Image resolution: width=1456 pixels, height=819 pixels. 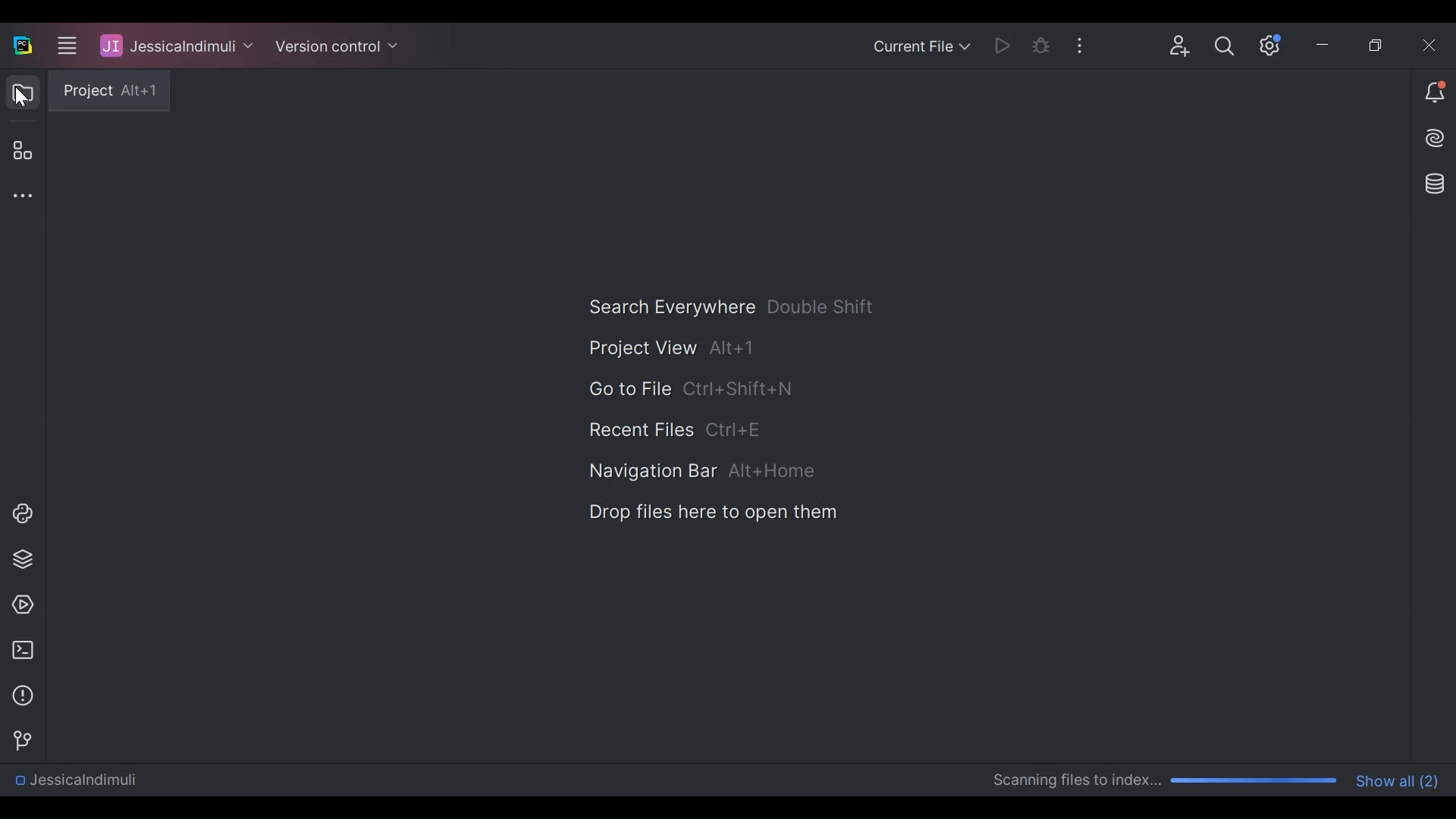 I want to click on Project View, so click(x=22, y=94).